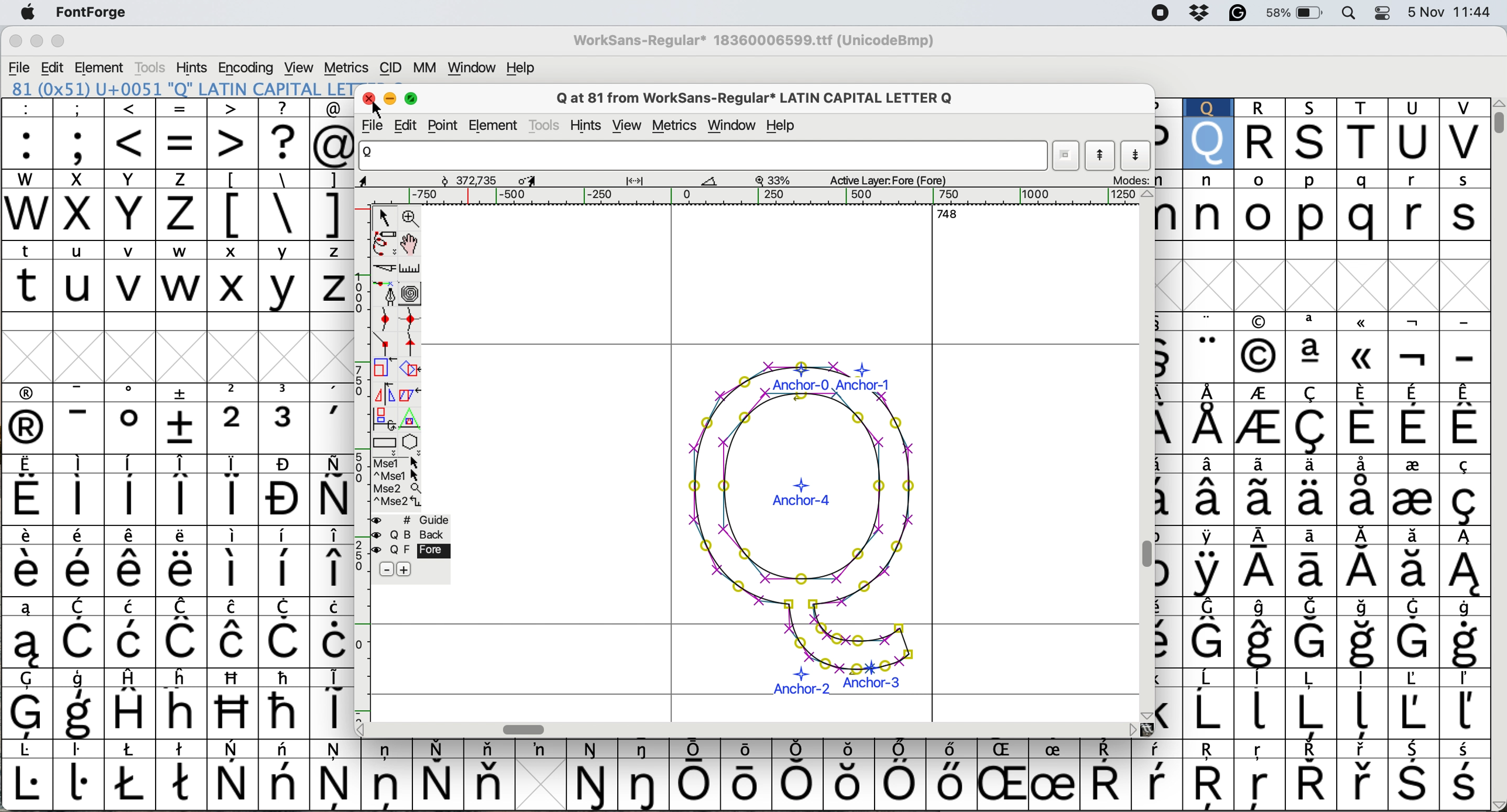 The image size is (1507, 812). I want to click on special characters, so click(742, 780).